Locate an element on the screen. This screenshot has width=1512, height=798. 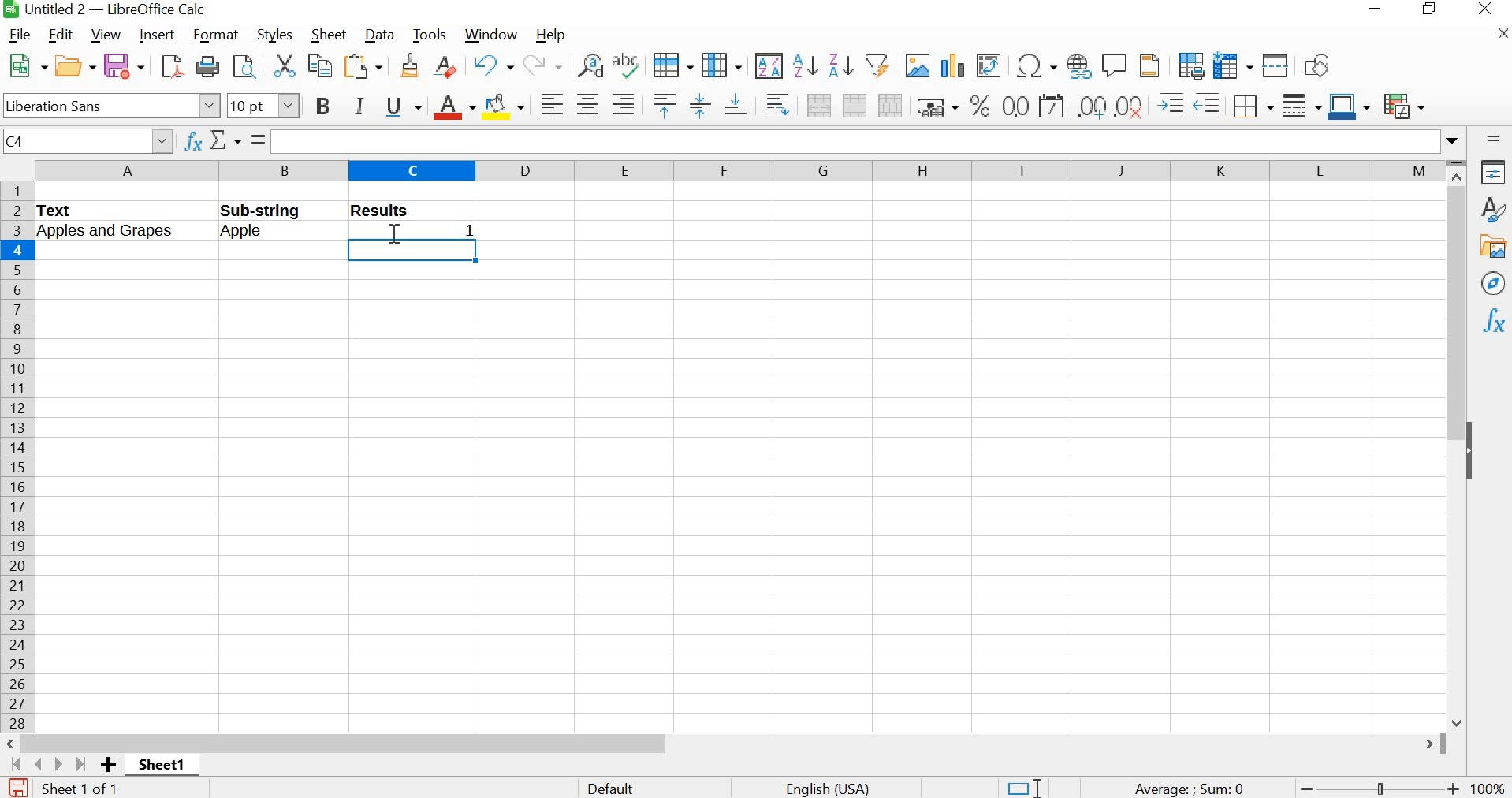
Results is located at coordinates (393, 211).